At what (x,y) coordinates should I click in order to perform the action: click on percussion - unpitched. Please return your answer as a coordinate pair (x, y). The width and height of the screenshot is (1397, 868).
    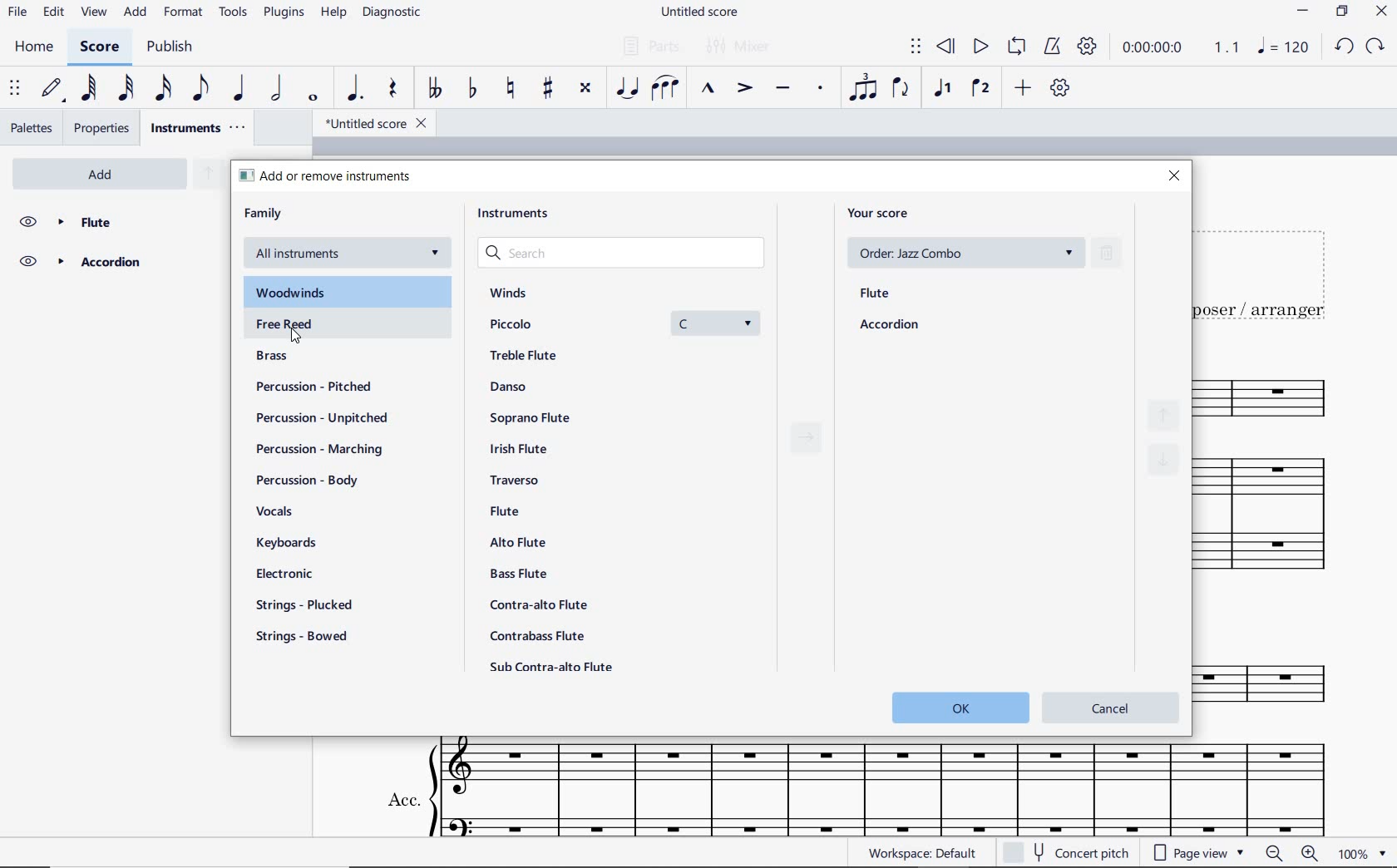
    Looking at the image, I should click on (321, 418).